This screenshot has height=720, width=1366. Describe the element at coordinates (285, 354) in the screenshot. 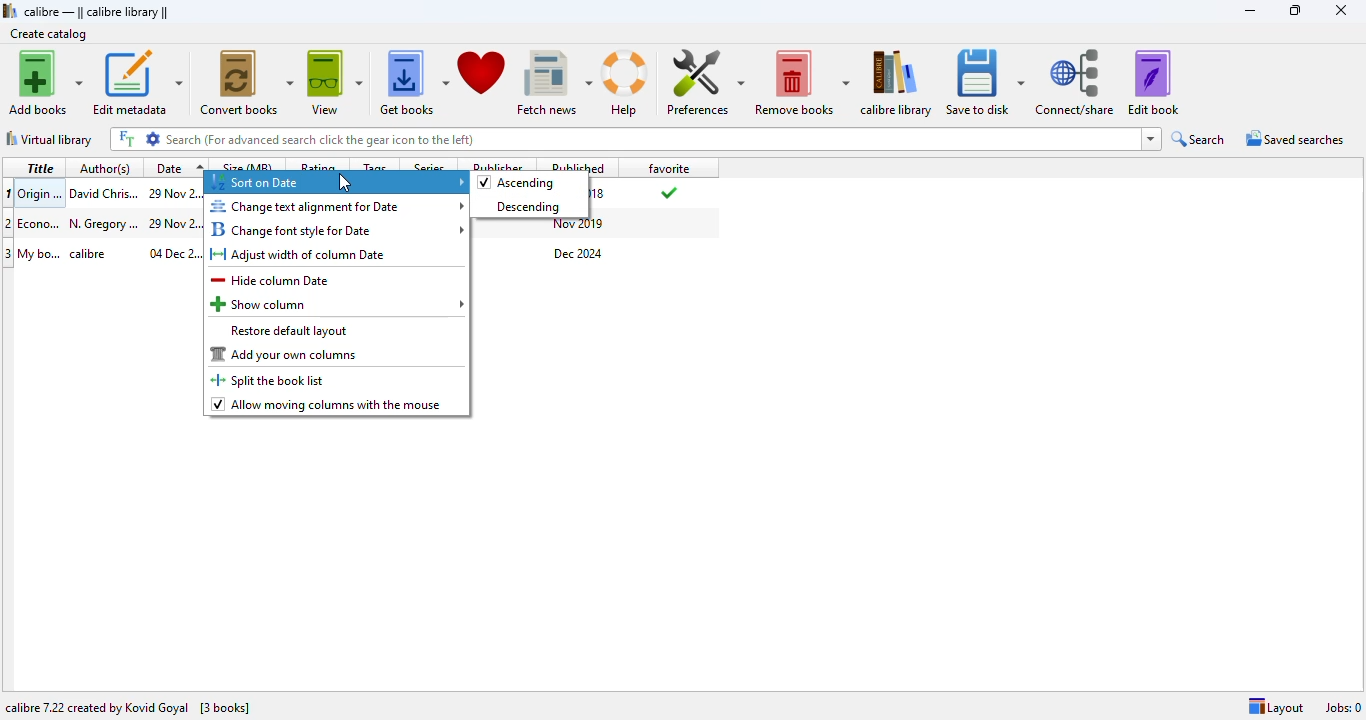

I see `add your own columns` at that location.